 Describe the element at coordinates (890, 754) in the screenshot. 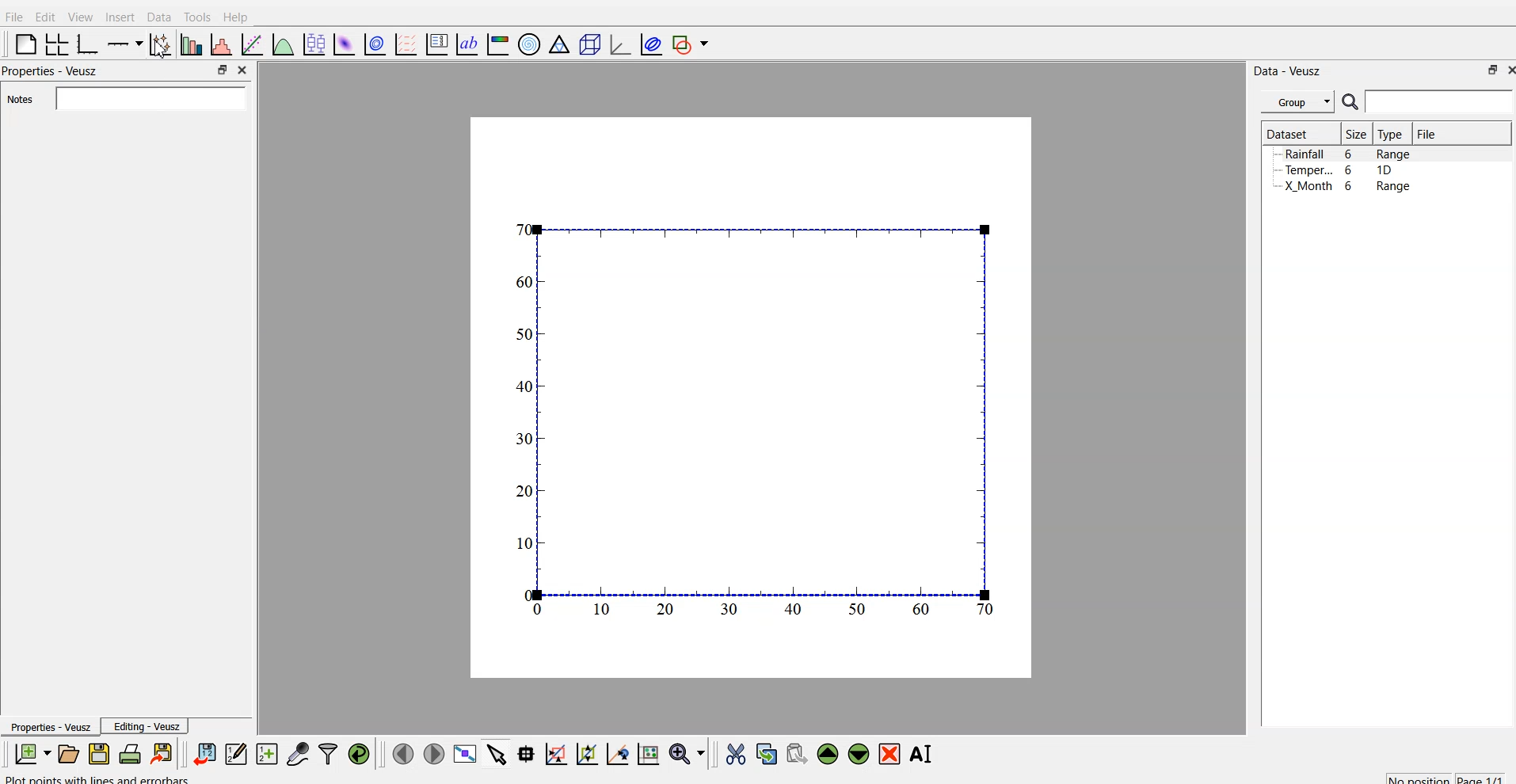

I see `remove the selected widget` at that location.